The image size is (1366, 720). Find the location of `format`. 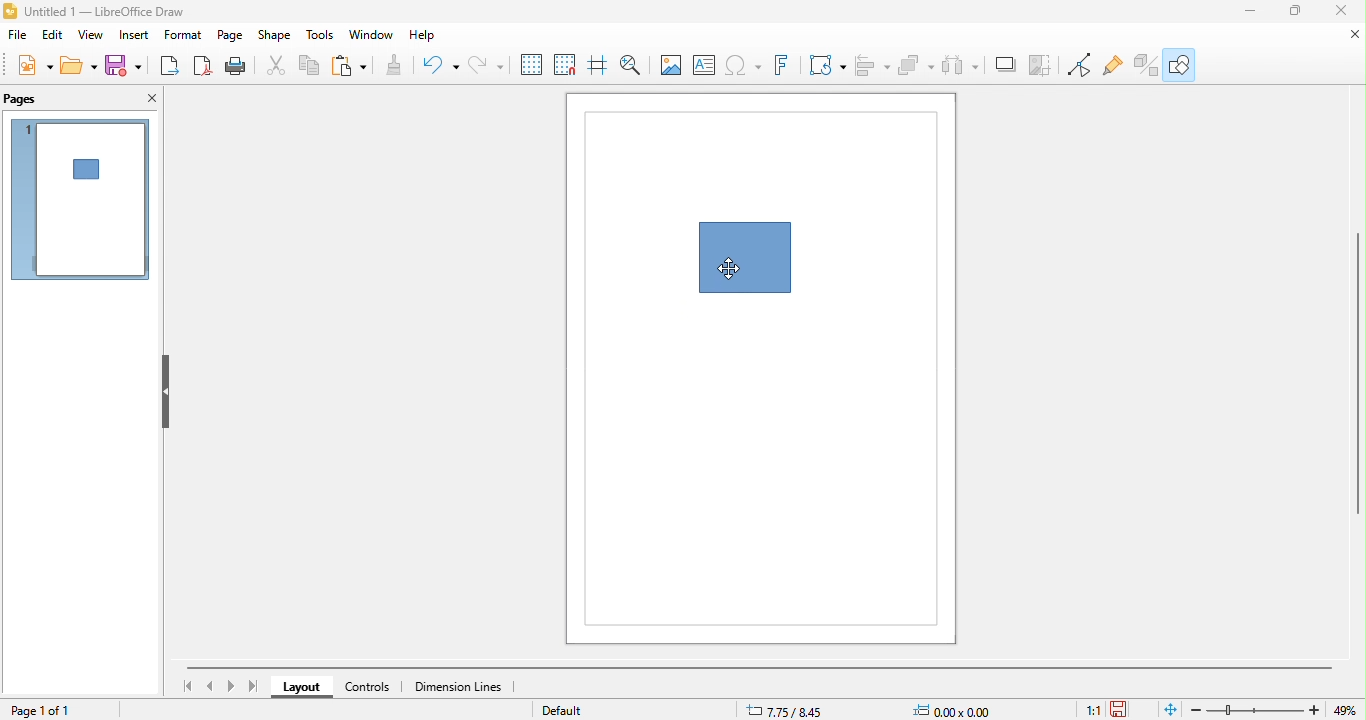

format is located at coordinates (185, 37).